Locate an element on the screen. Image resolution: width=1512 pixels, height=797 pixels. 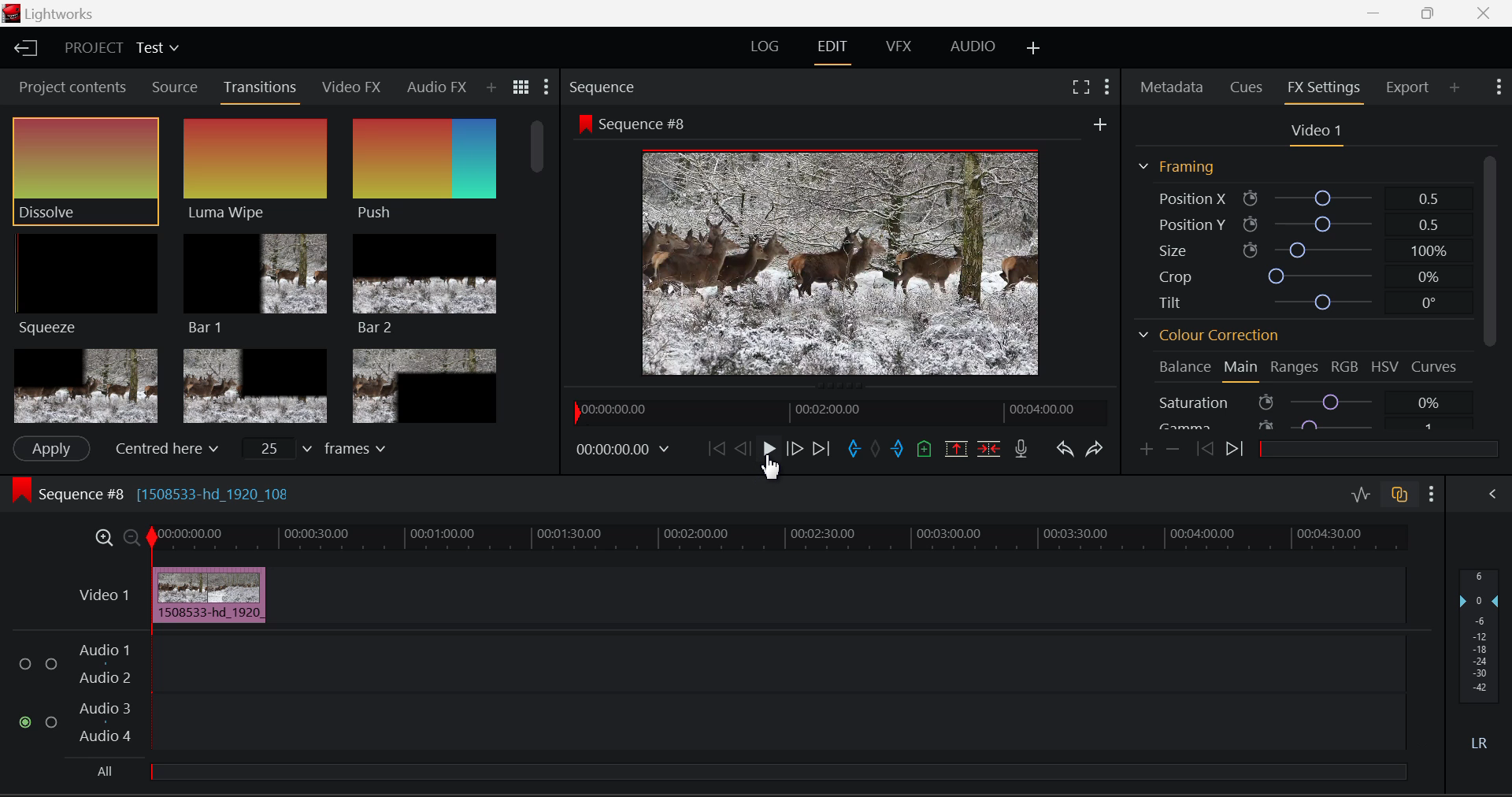
Cursor is located at coordinates (773, 469).